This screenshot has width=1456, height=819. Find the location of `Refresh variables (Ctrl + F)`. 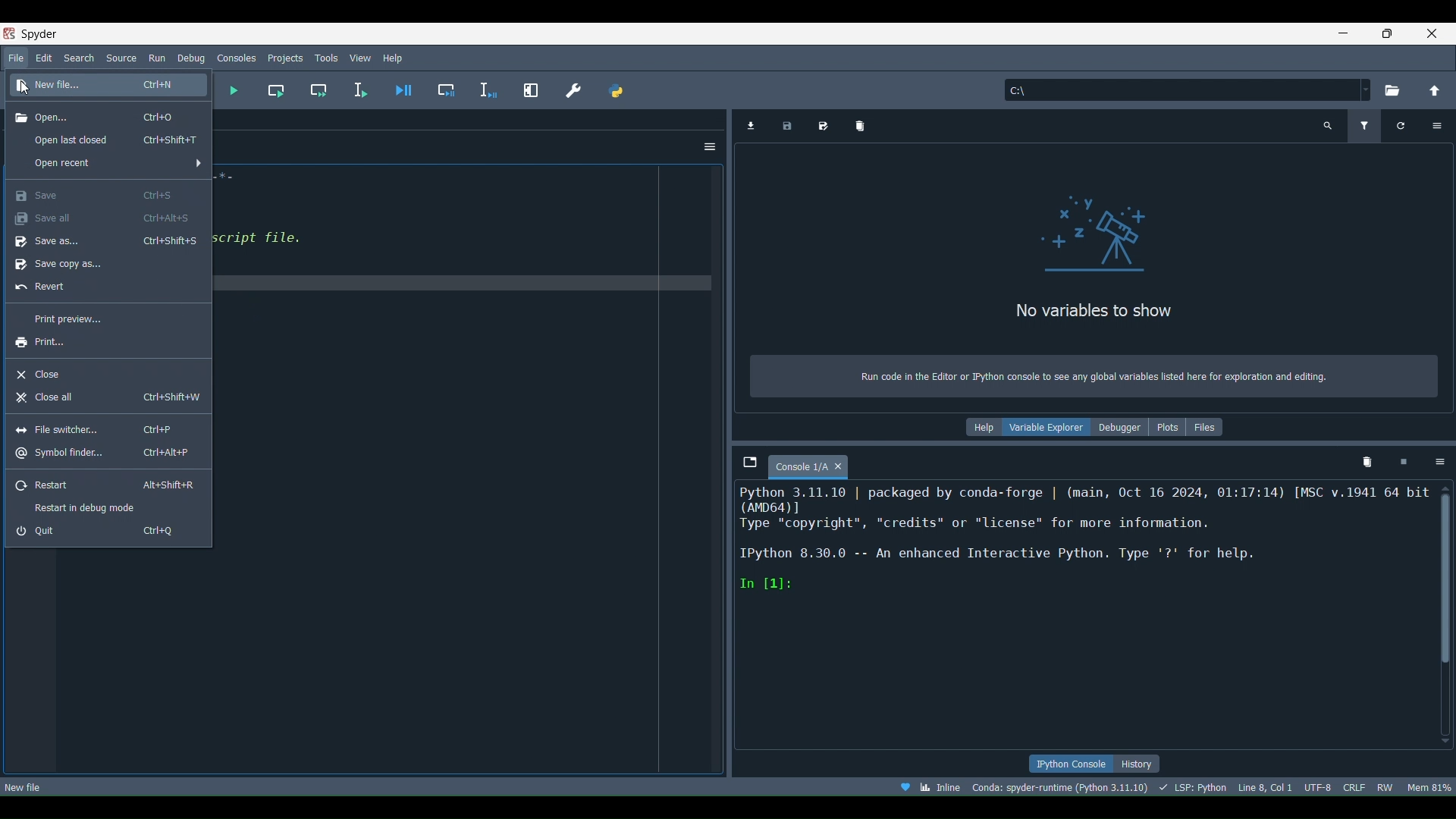

Refresh variables (Ctrl + F) is located at coordinates (1401, 125).